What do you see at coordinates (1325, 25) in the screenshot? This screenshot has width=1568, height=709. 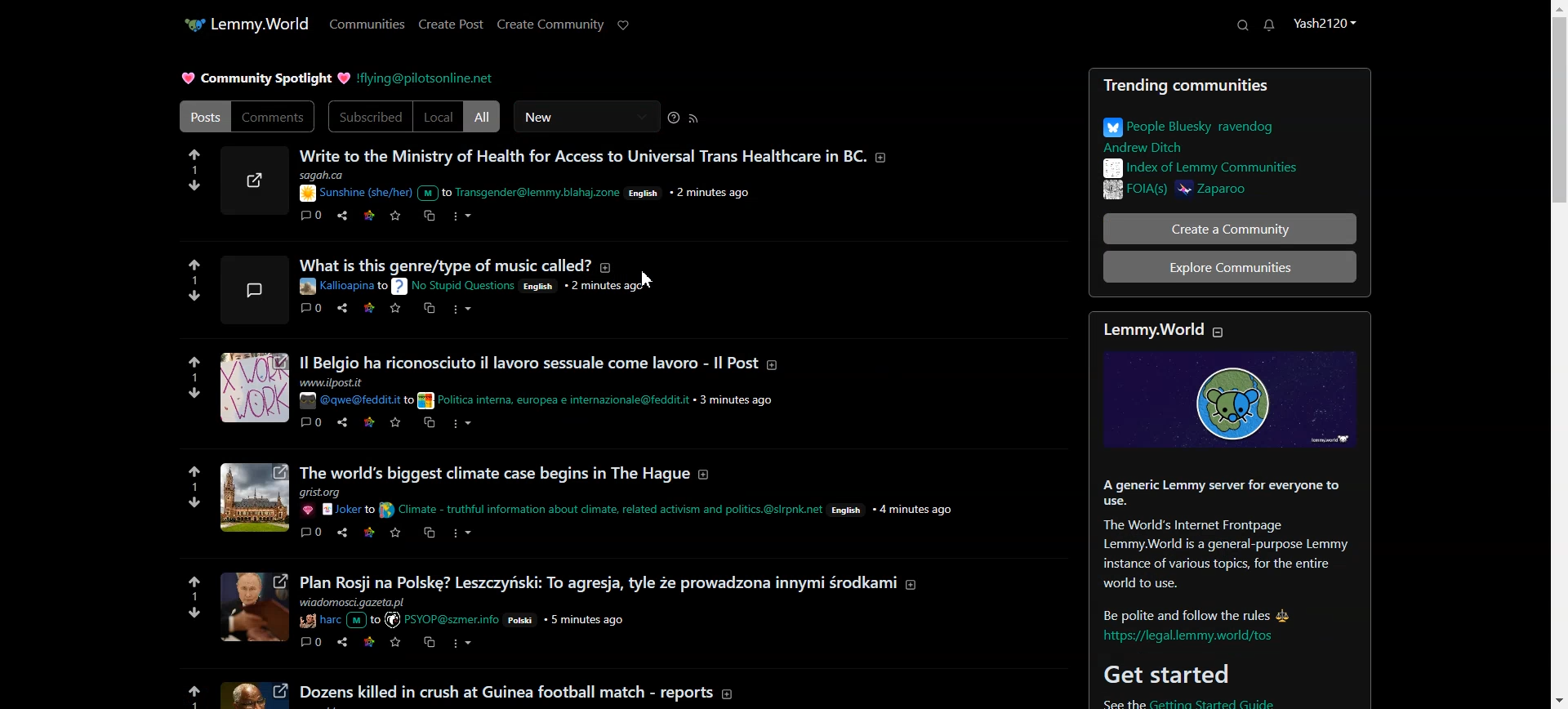 I see `Profile` at bounding box center [1325, 25].